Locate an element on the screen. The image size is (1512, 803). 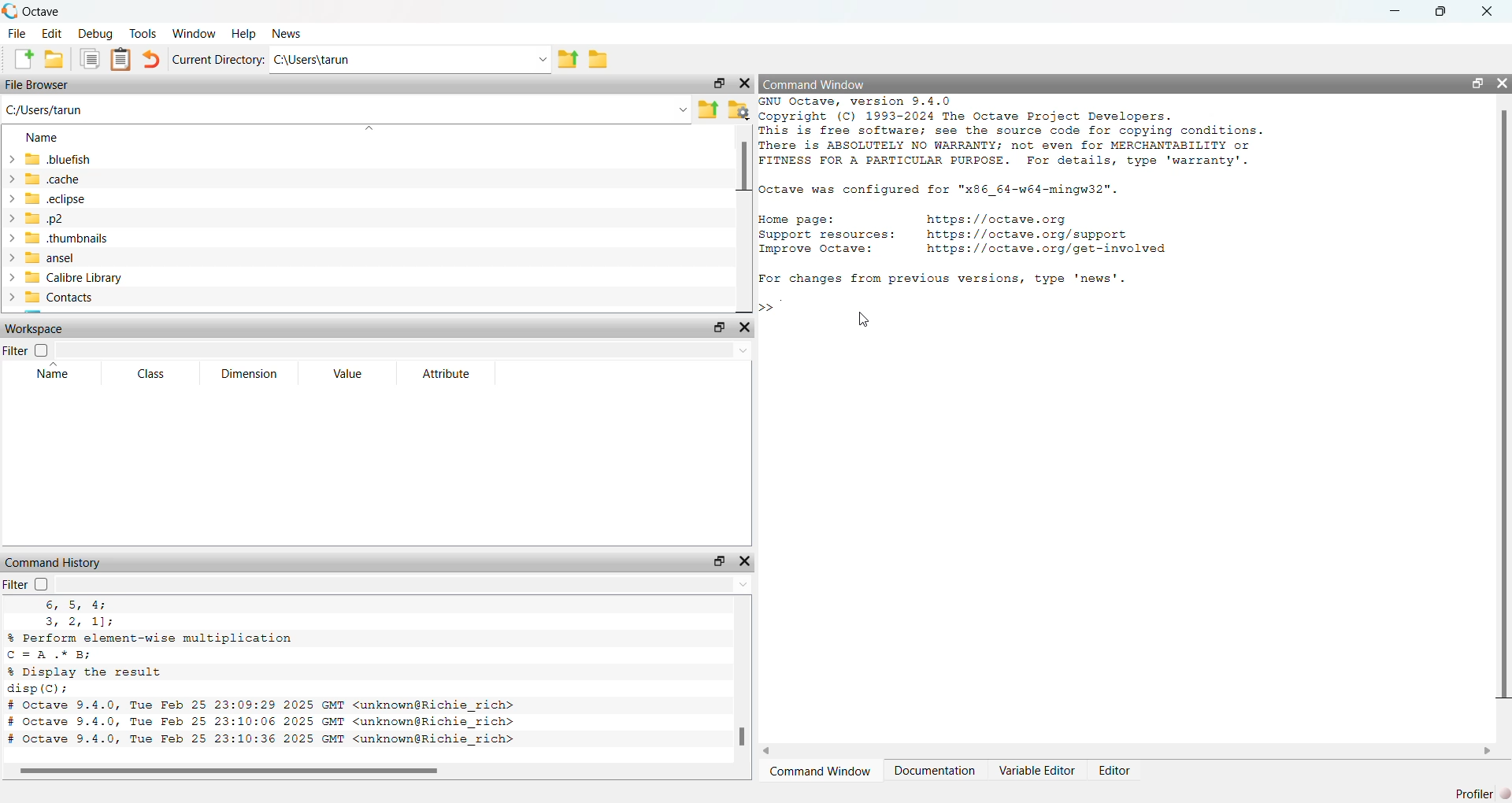
Folder Settings is located at coordinates (739, 109).